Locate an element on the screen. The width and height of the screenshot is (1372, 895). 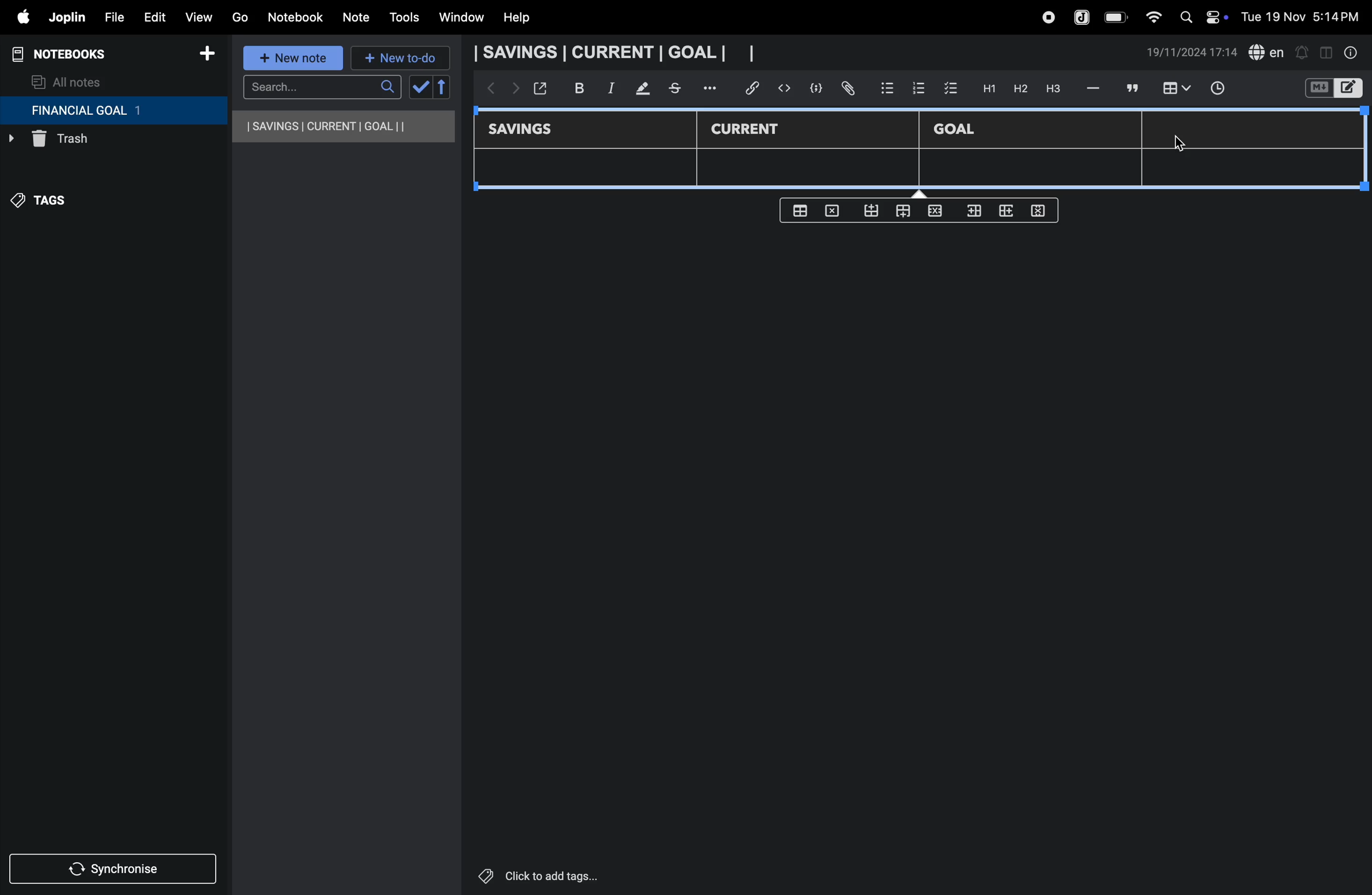
add rows is located at coordinates (1004, 214).